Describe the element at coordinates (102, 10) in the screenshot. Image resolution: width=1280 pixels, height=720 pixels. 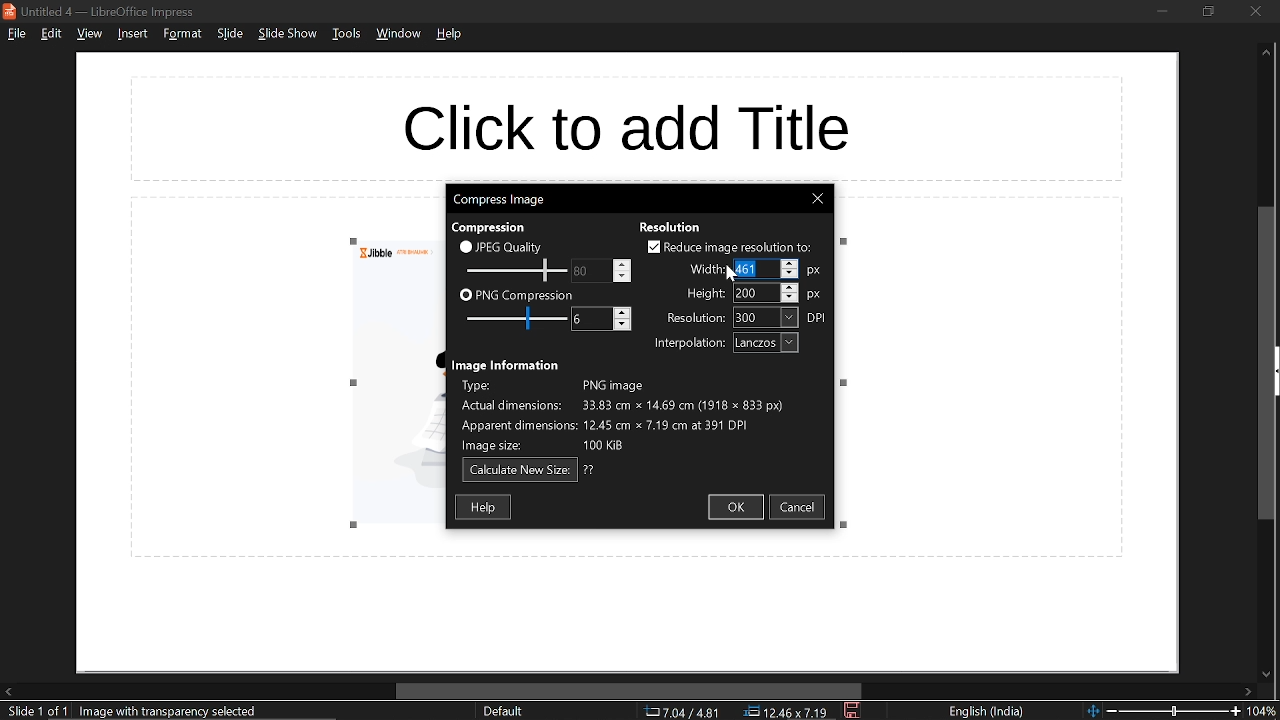
I see `current window` at that location.